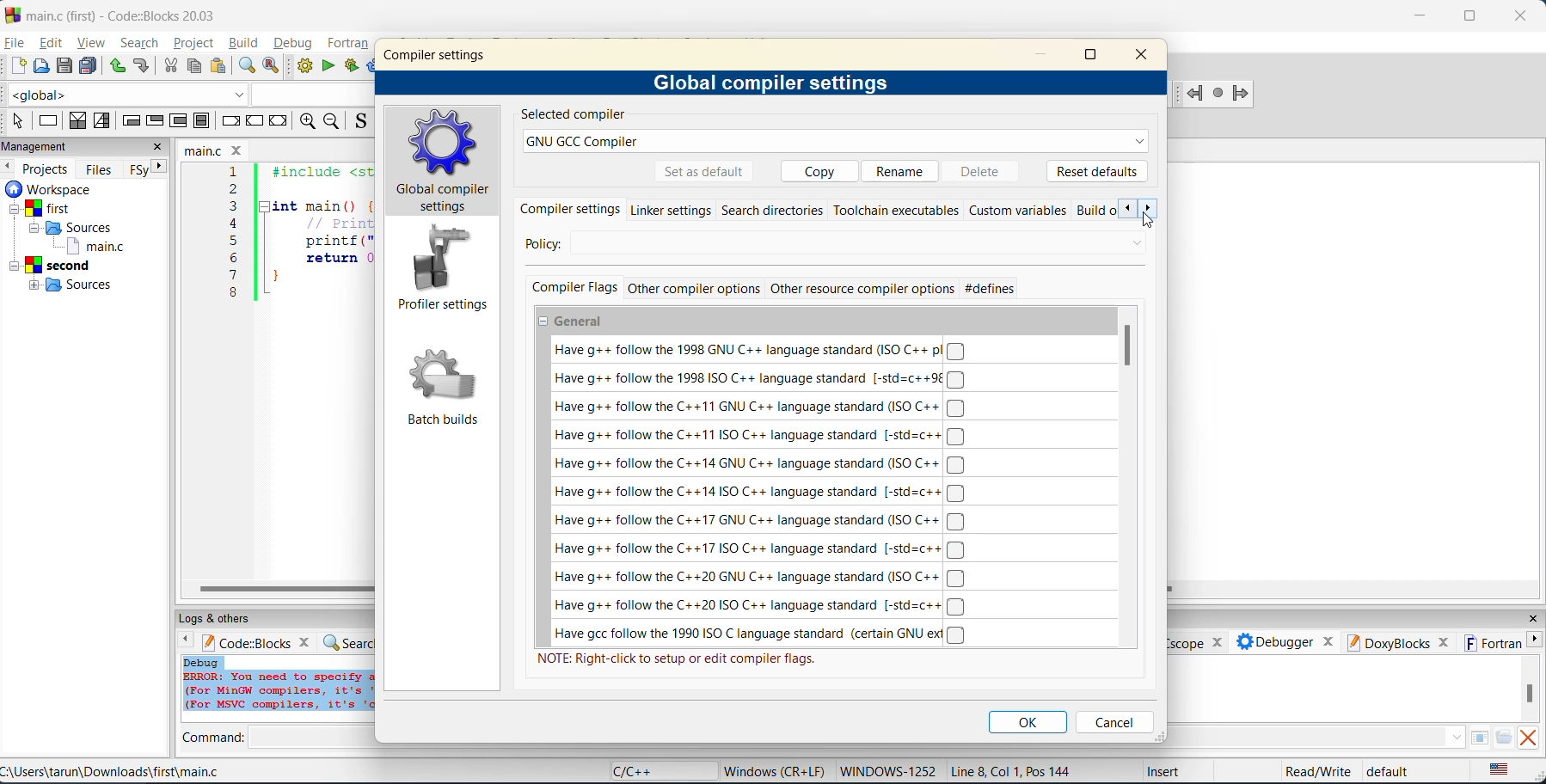 The height and width of the screenshot is (784, 1546). What do you see at coordinates (48, 43) in the screenshot?
I see `edit` at bounding box center [48, 43].